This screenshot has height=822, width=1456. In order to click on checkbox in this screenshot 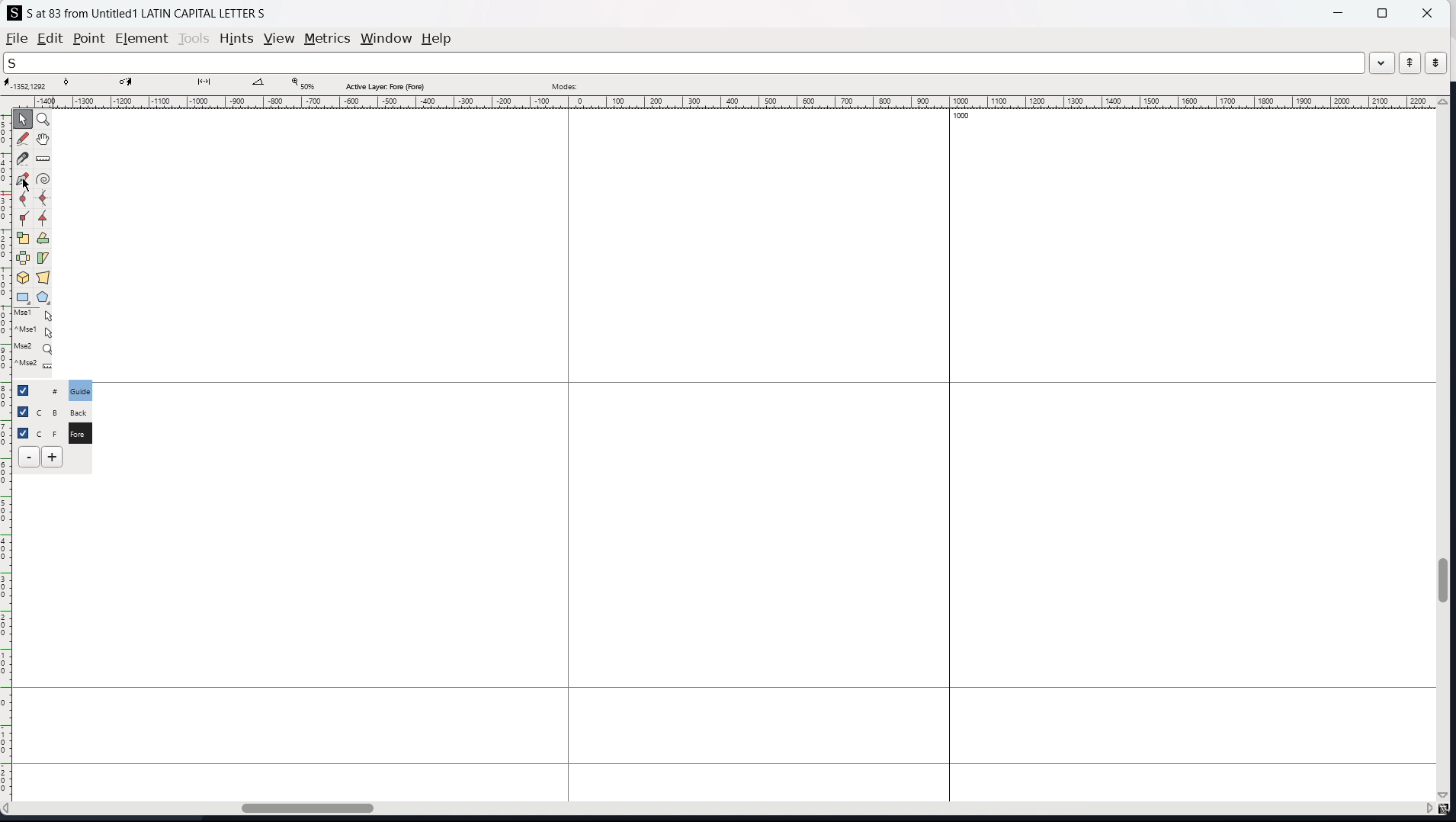, I will do `click(27, 390)`.